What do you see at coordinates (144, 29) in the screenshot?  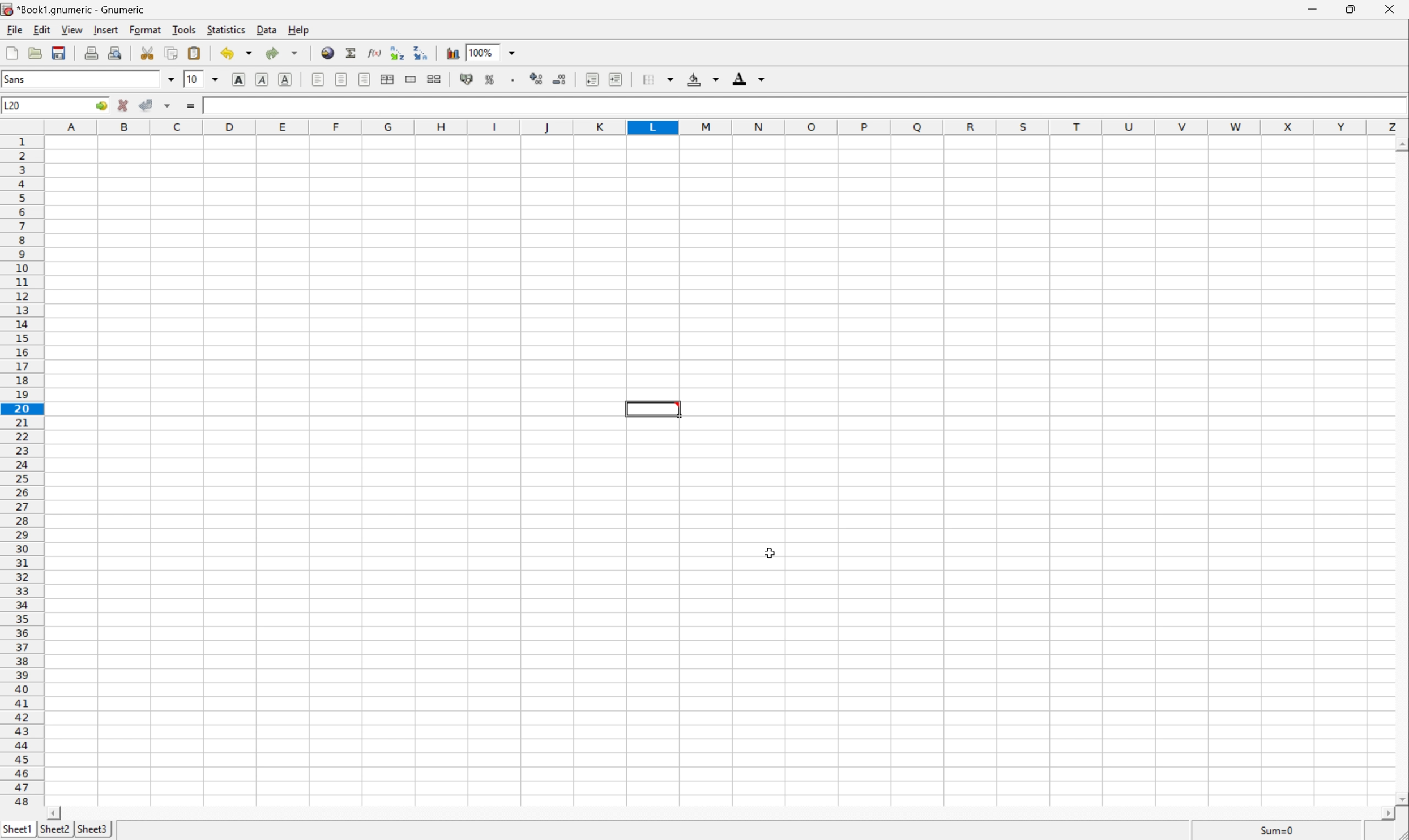 I see `Format` at bounding box center [144, 29].